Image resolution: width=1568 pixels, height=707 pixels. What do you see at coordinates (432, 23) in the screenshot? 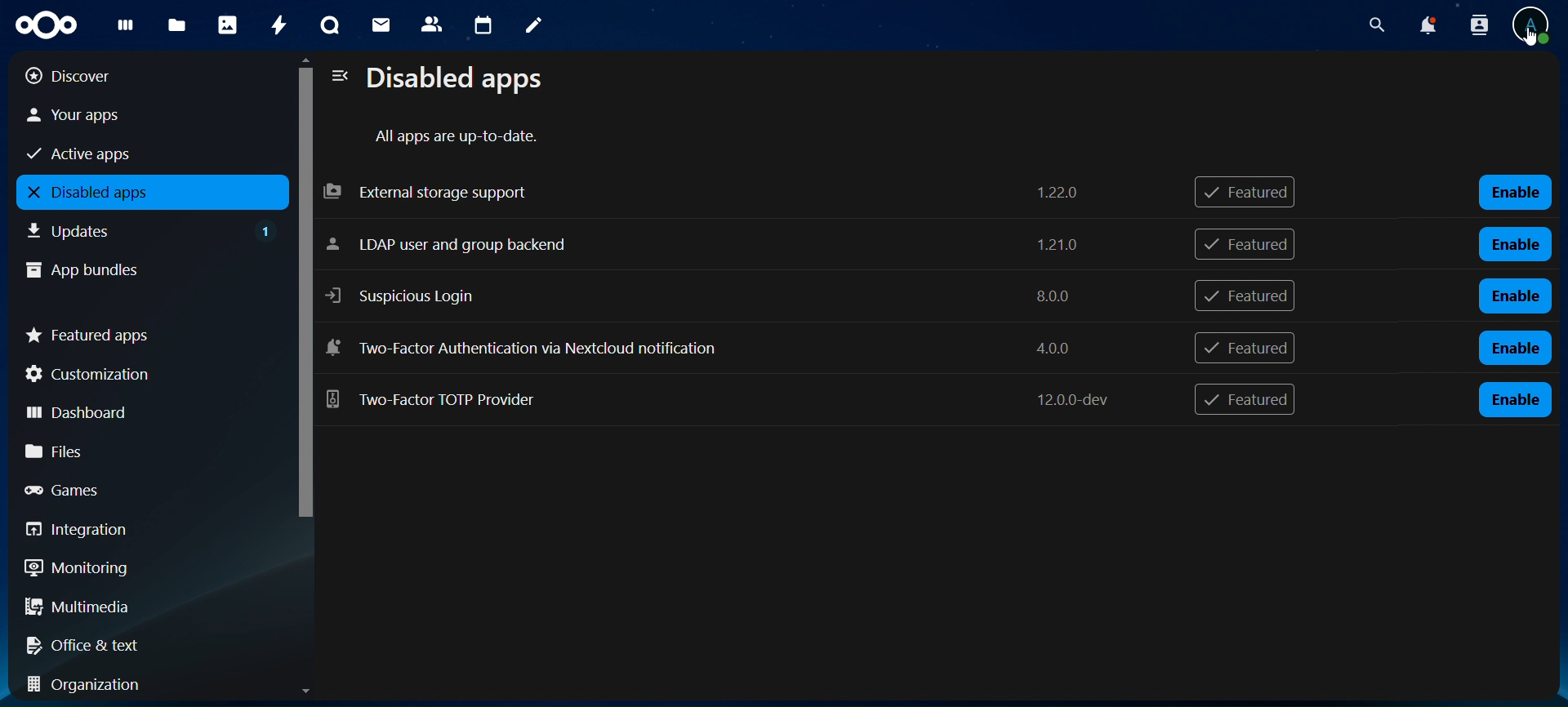
I see `contact` at bounding box center [432, 23].